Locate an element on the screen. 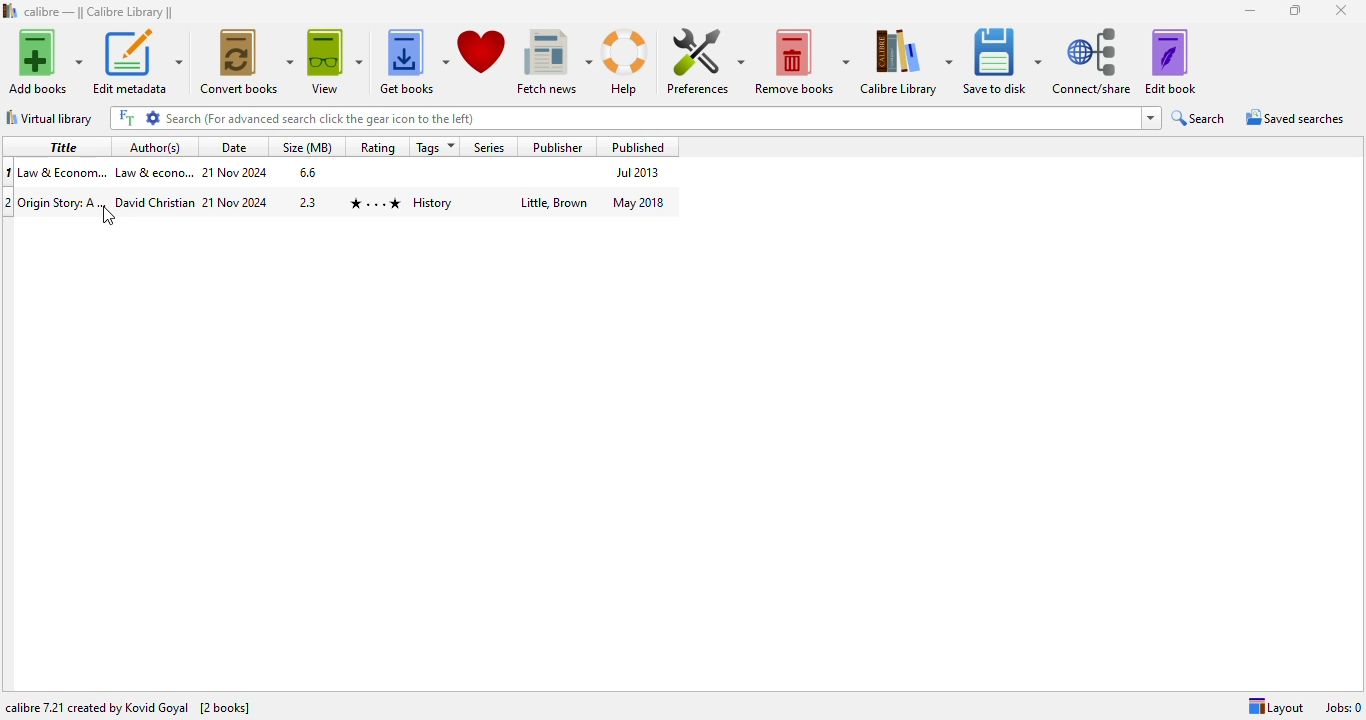 Image resolution: width=1366 pixels, height=720 pixels. jul 2013 is located at coordinates (634, 172).